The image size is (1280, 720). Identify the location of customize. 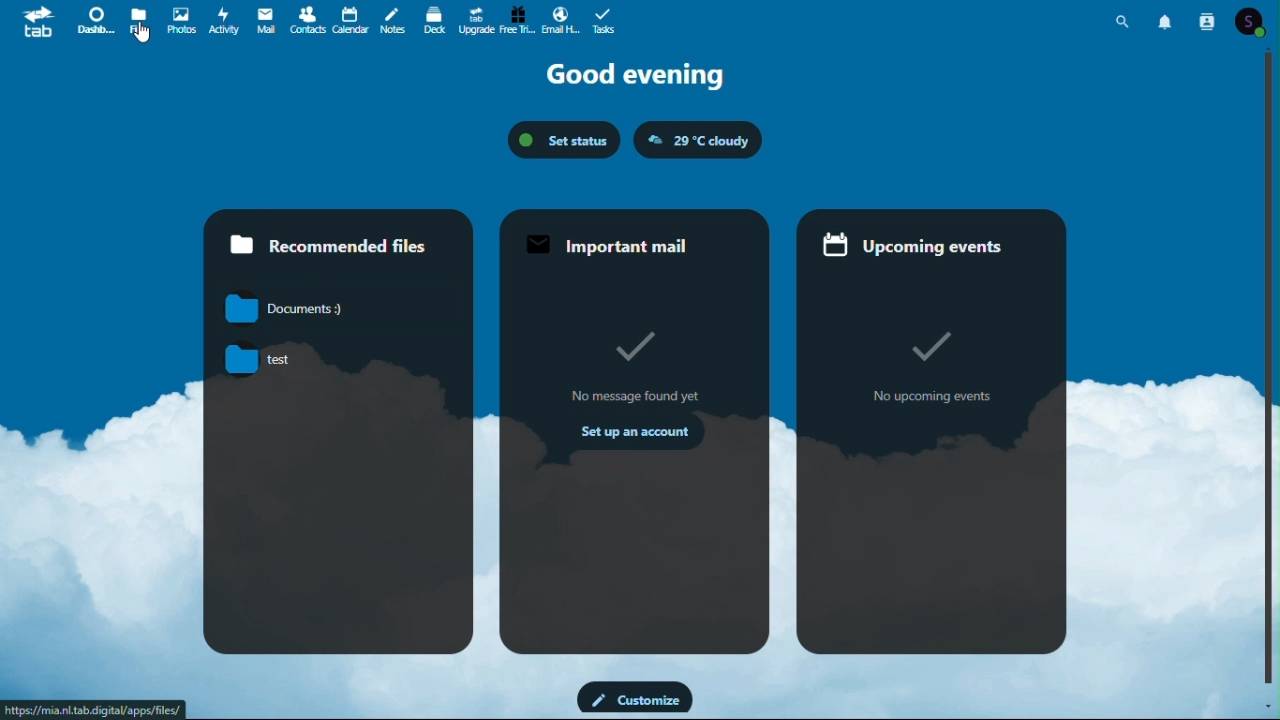
(635, 698).